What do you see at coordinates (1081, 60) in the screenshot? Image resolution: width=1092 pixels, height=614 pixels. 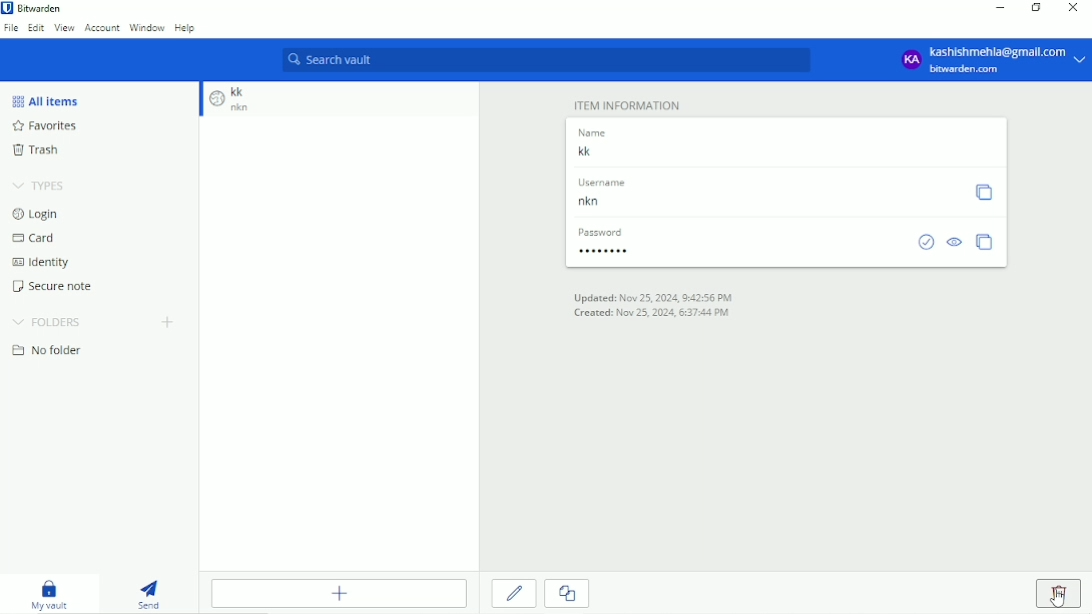 I see `more` at bounding box center [1081, 60].